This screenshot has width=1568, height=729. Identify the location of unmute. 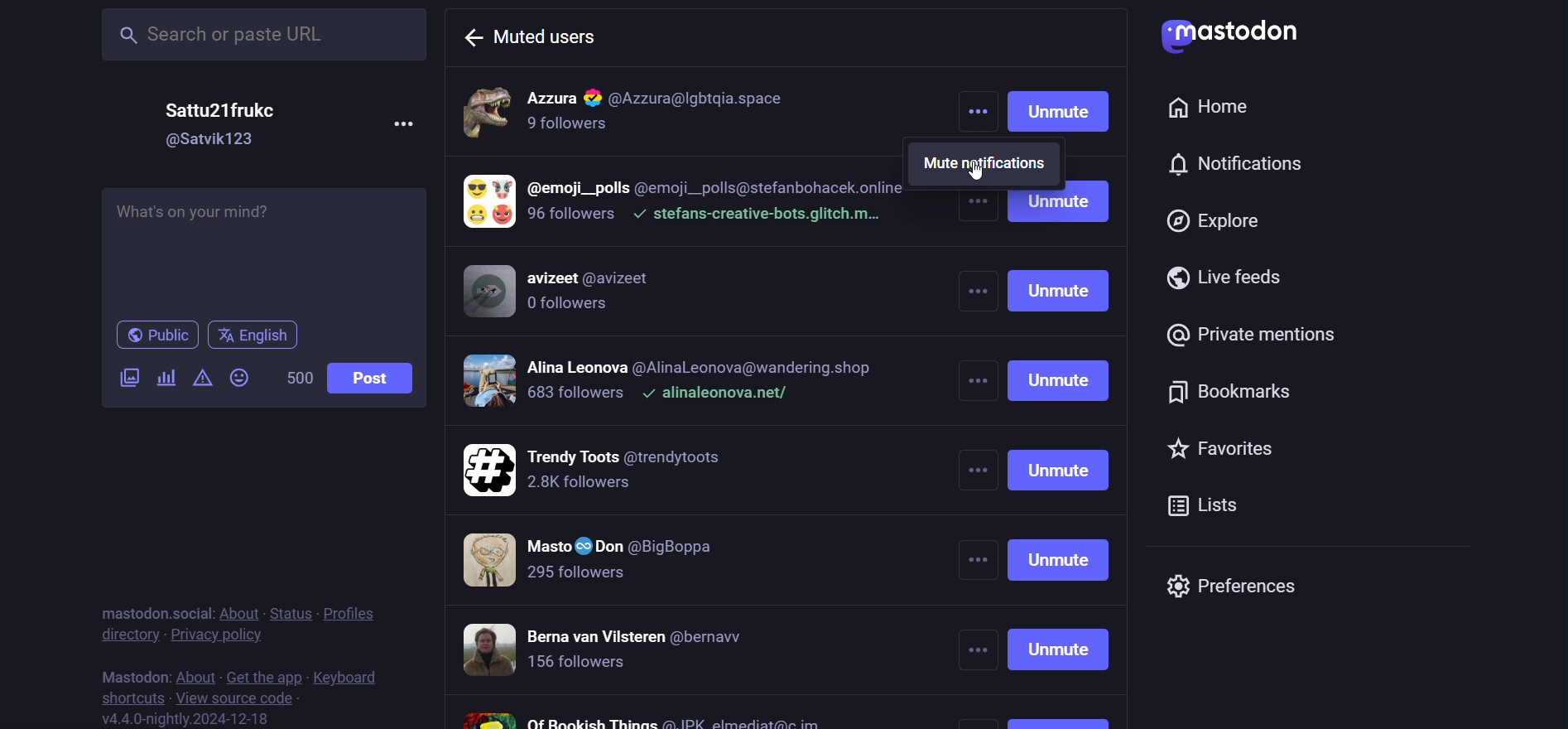
(1064, 452).